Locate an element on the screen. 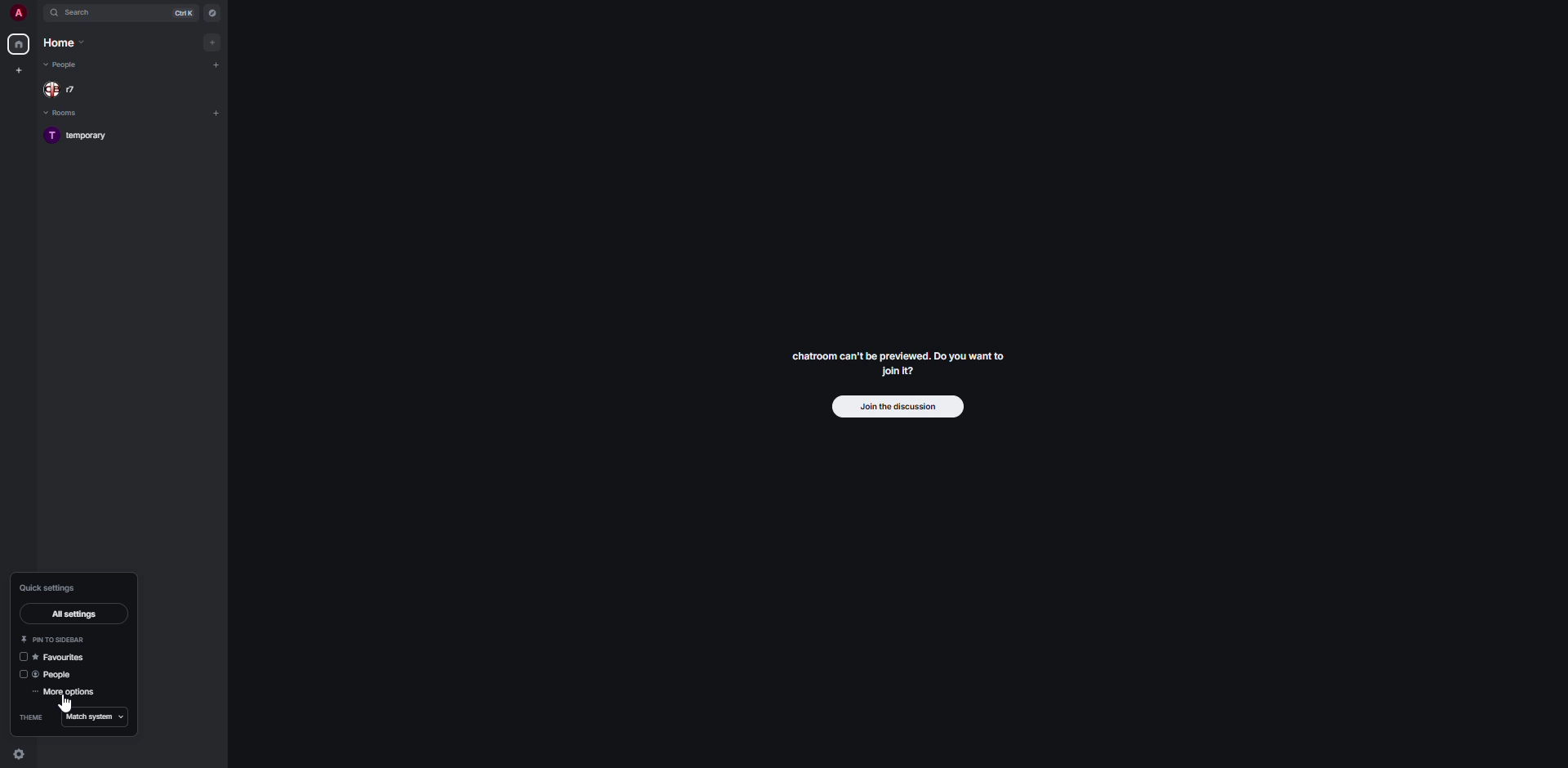 Image resolution: width=1568 pixels, height=768 pixels. room is located at coordinates (84, 136).